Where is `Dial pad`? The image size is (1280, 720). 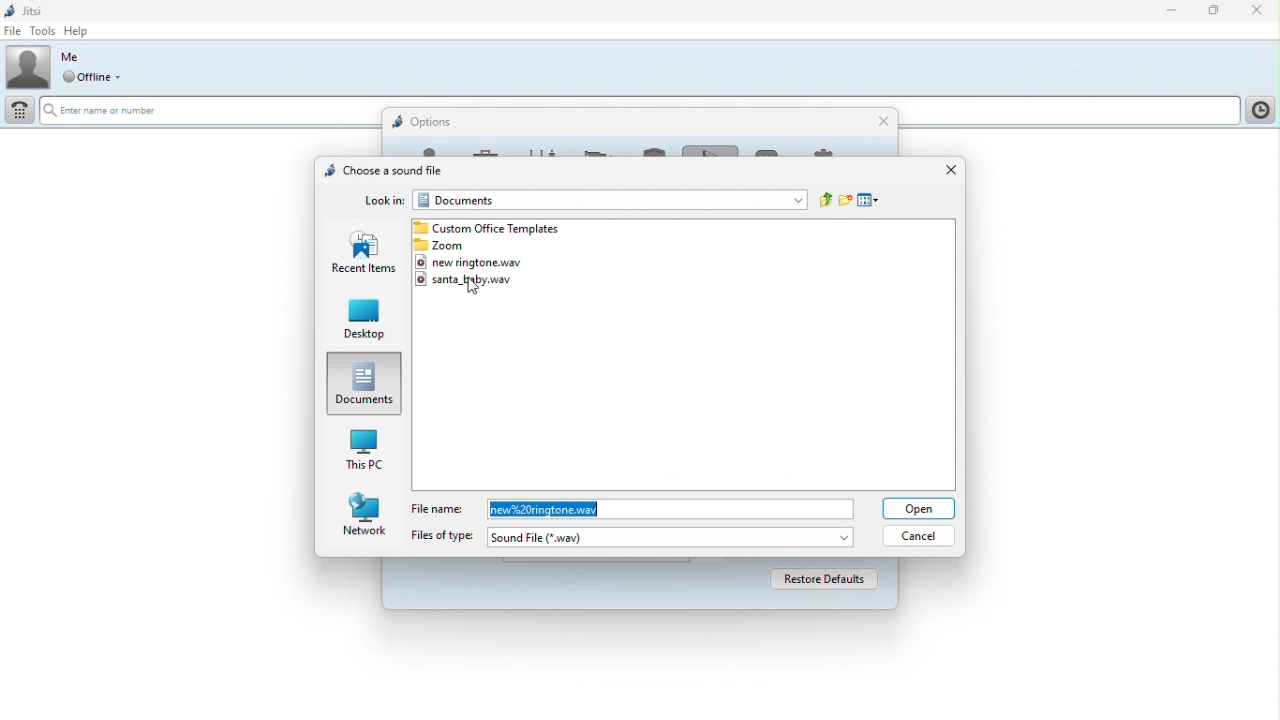 Dial pad is located at coordinates (18, 113).